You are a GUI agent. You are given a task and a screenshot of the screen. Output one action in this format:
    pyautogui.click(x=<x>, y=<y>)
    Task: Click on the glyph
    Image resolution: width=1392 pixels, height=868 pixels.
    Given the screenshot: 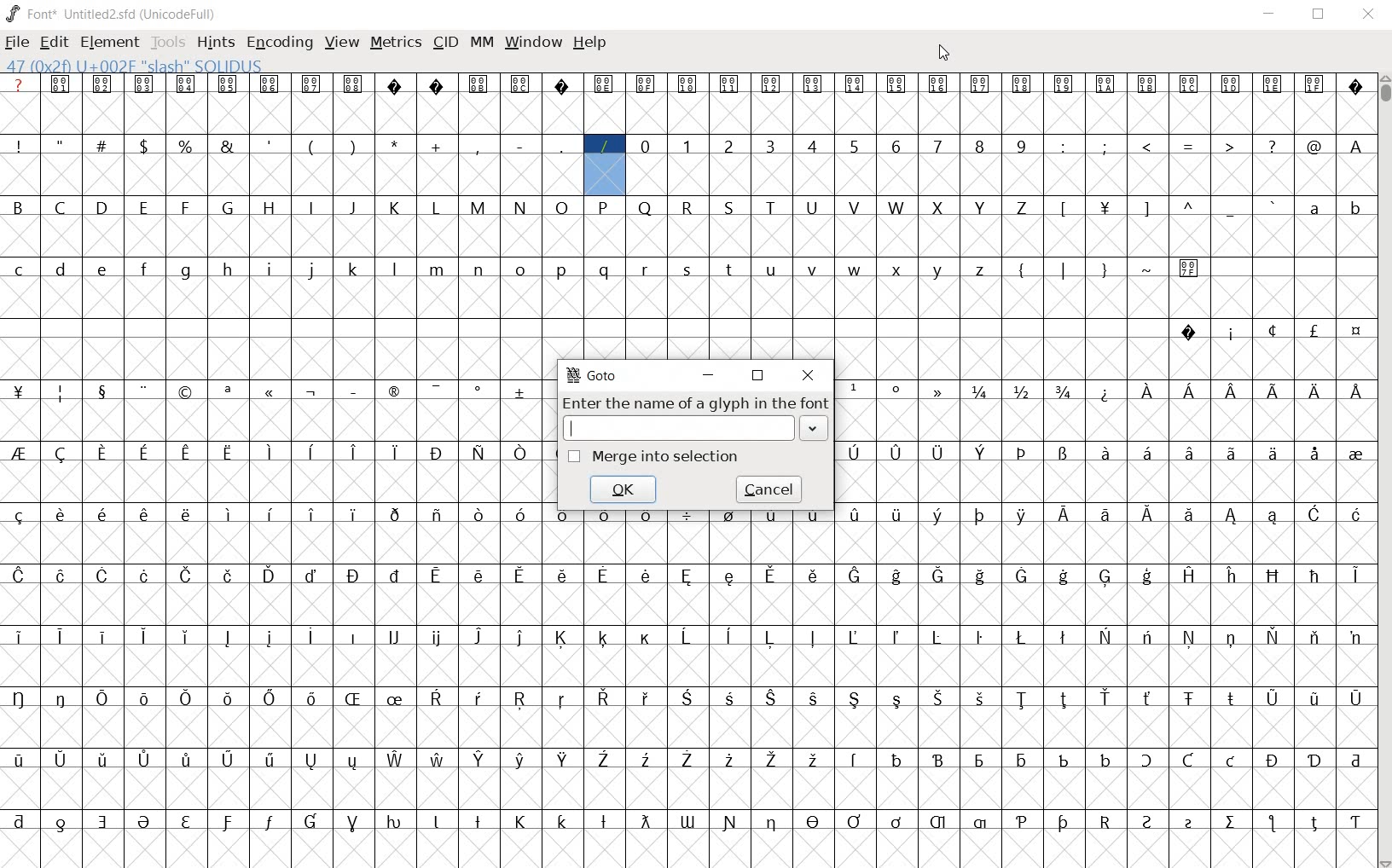 What is the action you would take?
    pyautogui.click(x=1273, y=391)
    